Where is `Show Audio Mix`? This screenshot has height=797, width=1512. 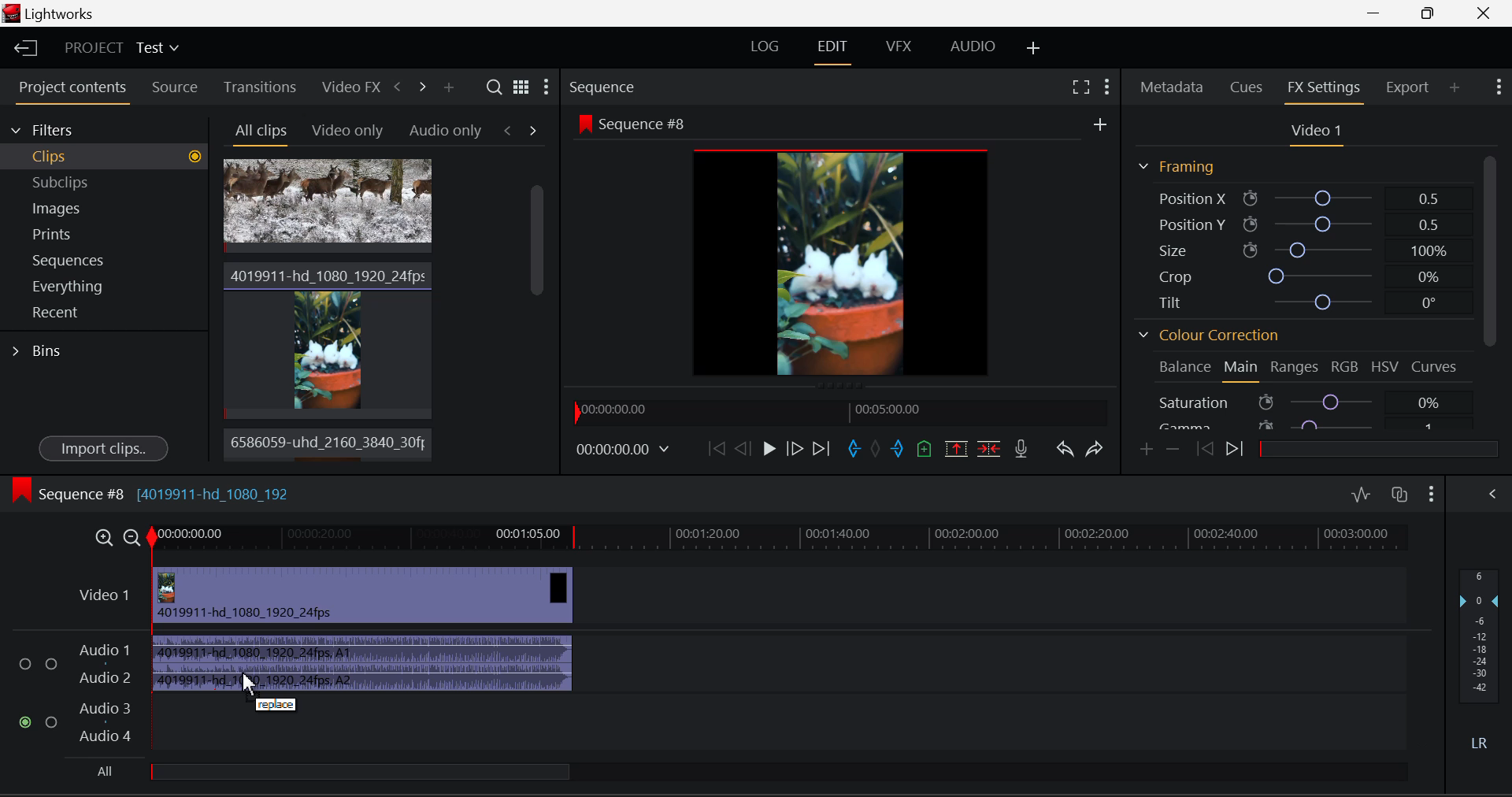
Show Audio Mix is located at coordinates (1492, 492).